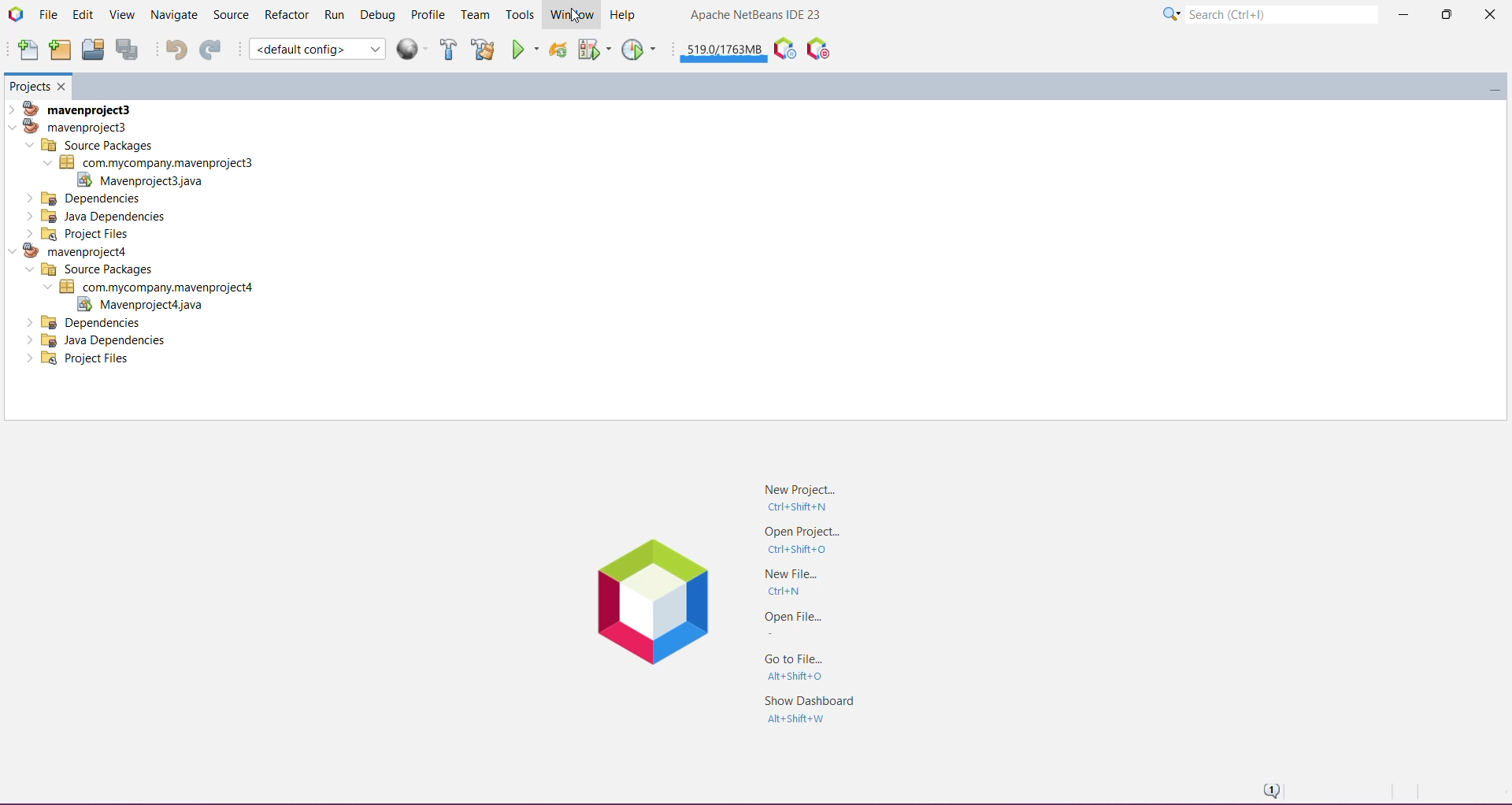 Image resolution: width=1512 pixels, height=805 pixels. What do you see at coordinates (724, 49) in the screenshot?
I see `Click to force Garbage Collection` at bounding box center [724, 49].